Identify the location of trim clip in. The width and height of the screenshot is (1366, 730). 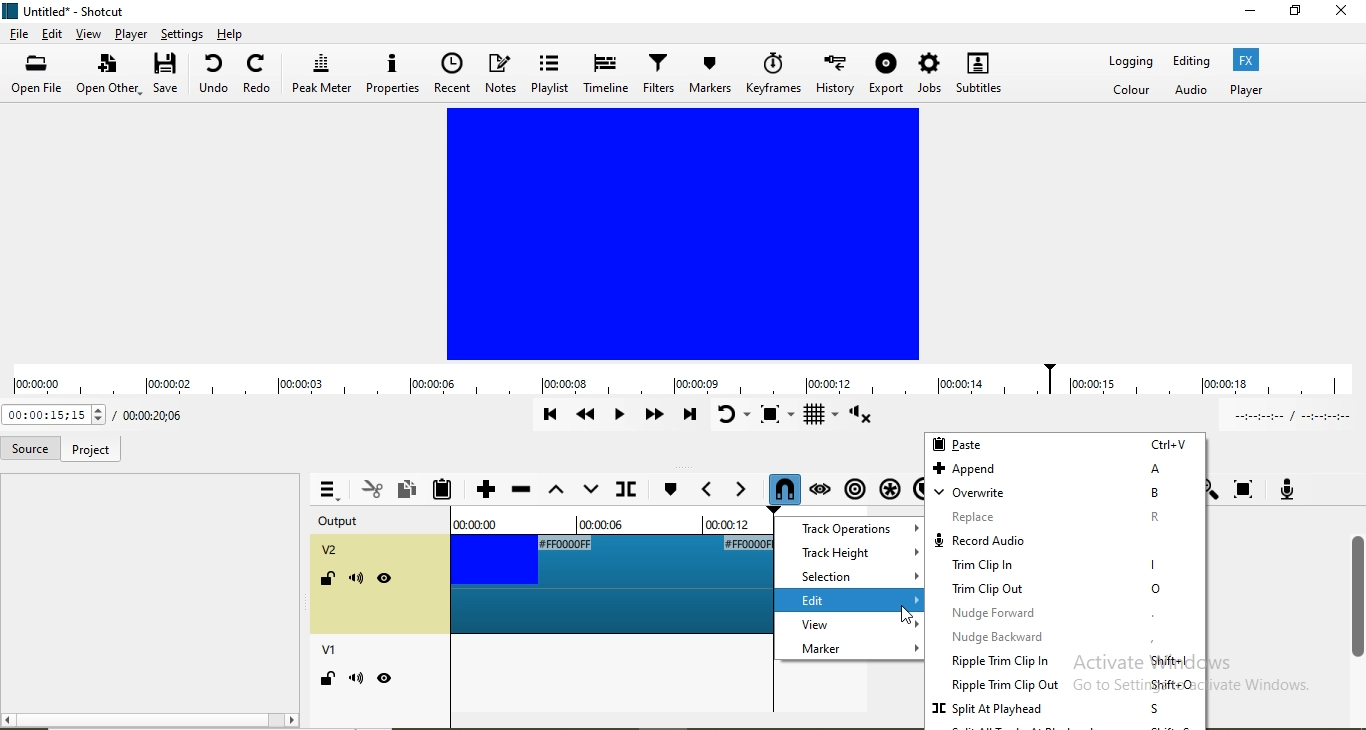
(1064, 568).